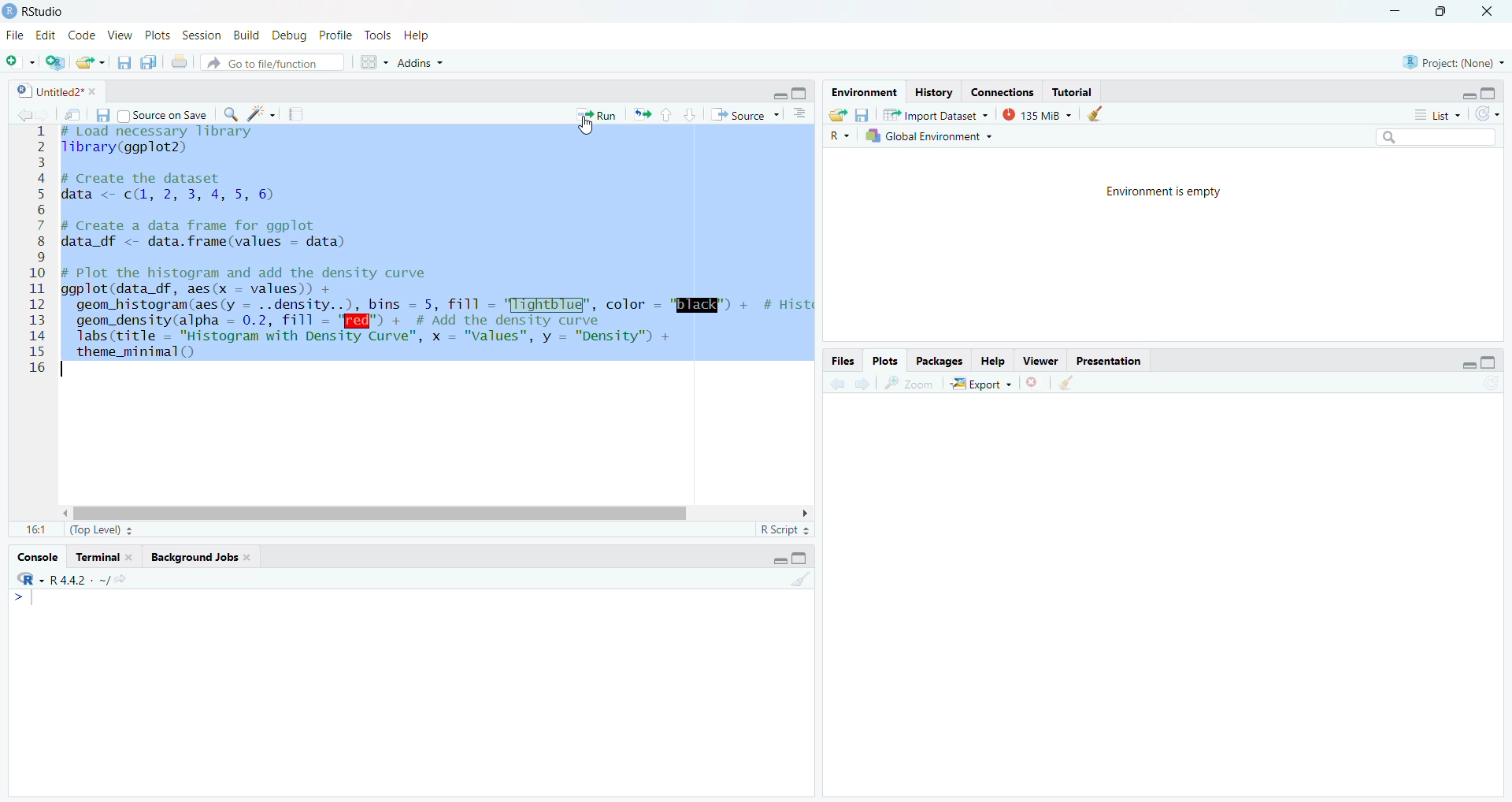 The height and width of the screenshot is (802, 1512). I want to click on Environment is empty, so click(1167, 191).